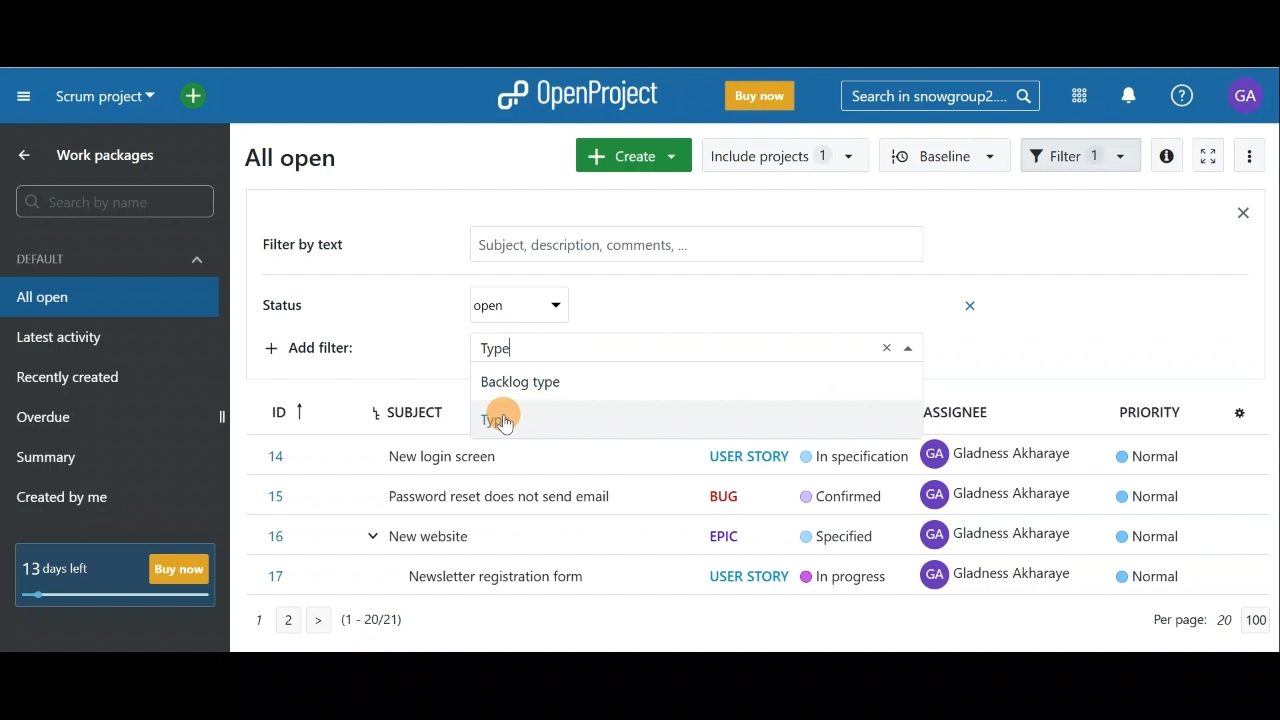 The height and width of the screenshot is (720, 1280). What do you see at coordinates (957, 412) in the screenshot?
I see `Assignee` at bounding box center [957, 412].